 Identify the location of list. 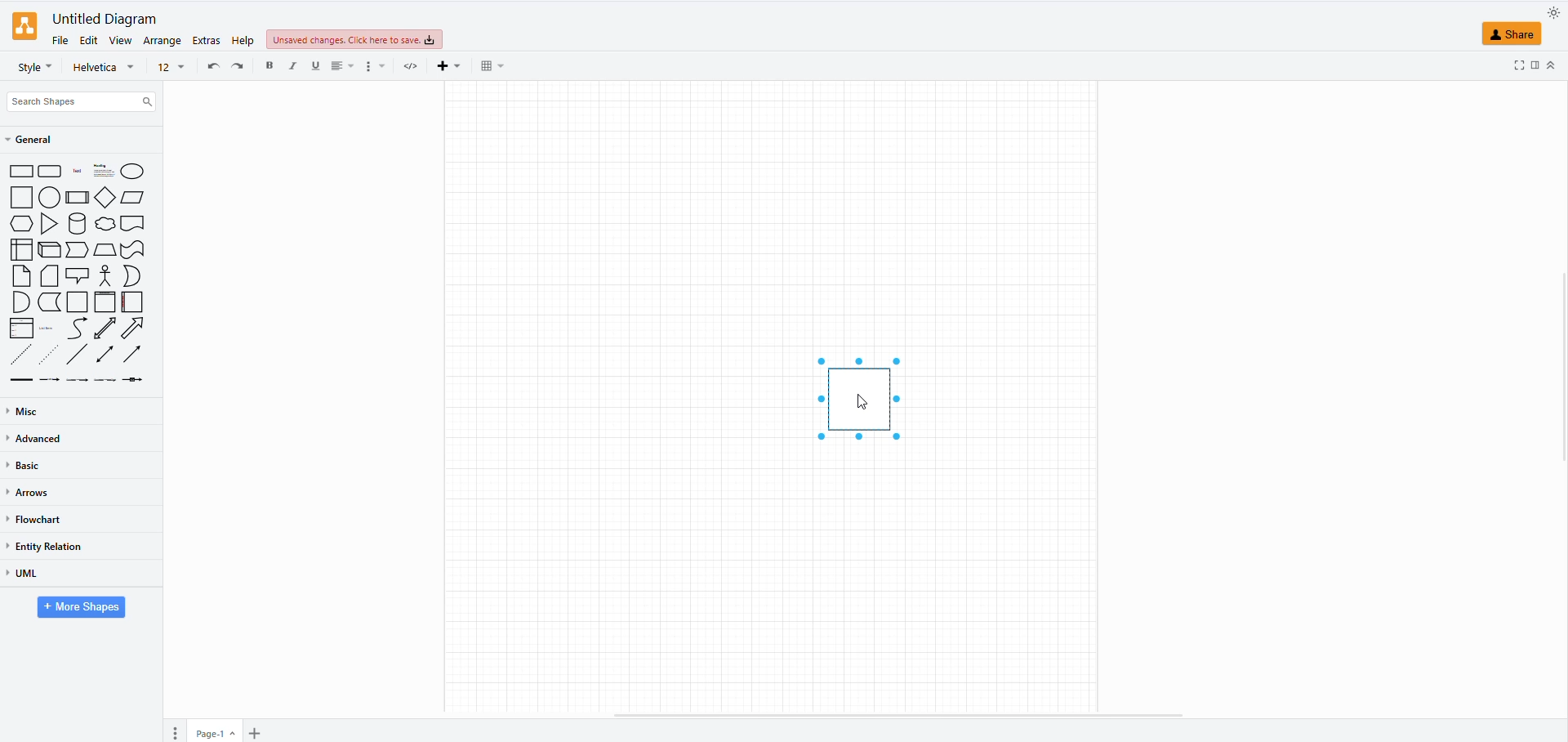
(22, 329).